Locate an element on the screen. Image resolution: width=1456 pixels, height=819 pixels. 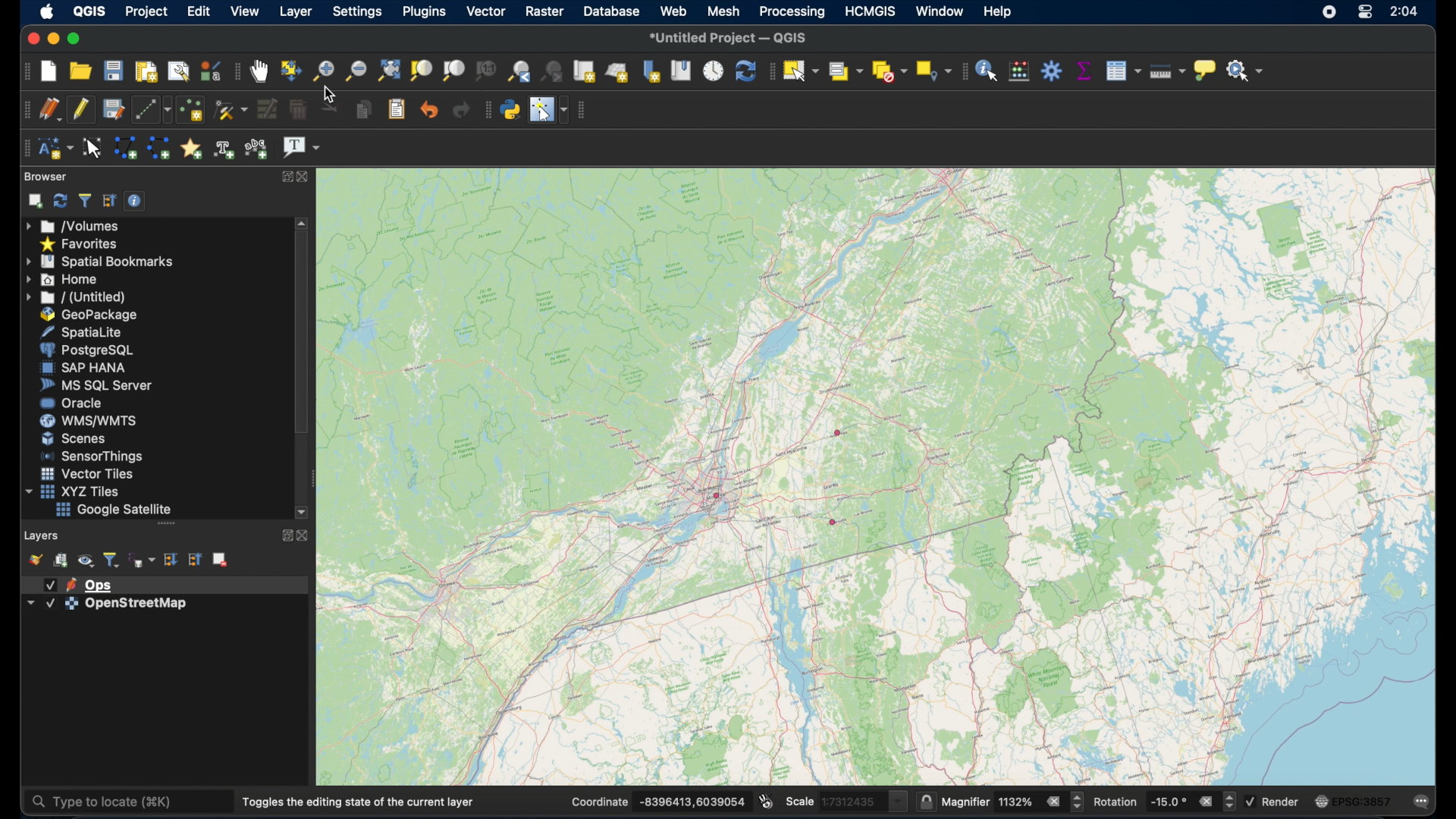
map navigation toolbar is located at coordinates (236, 72).